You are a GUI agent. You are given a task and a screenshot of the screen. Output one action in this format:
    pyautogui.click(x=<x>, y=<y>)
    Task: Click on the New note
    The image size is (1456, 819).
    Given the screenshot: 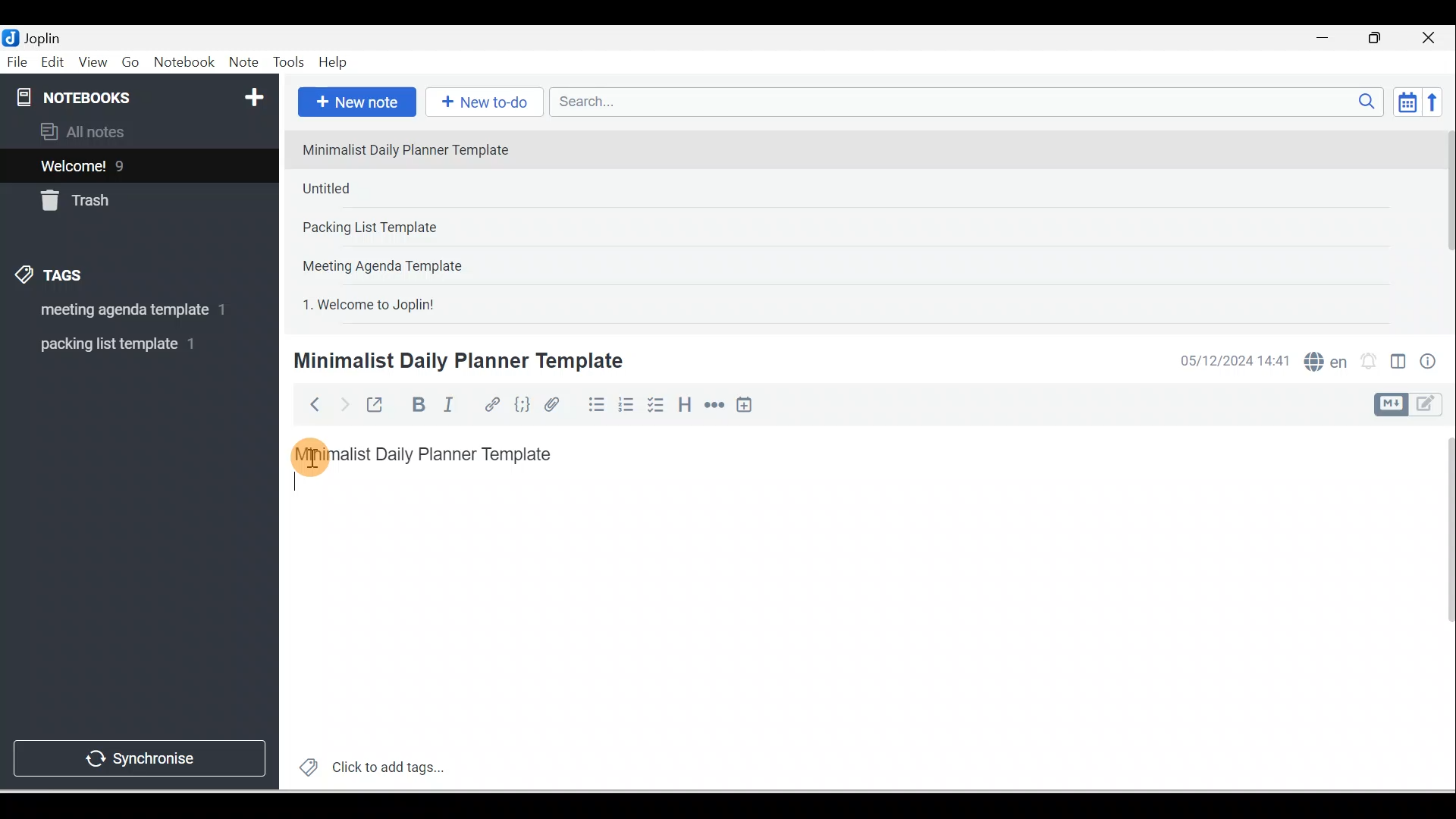 What is the action you would take?
    pyautogui.click(x=354, y=103)
    